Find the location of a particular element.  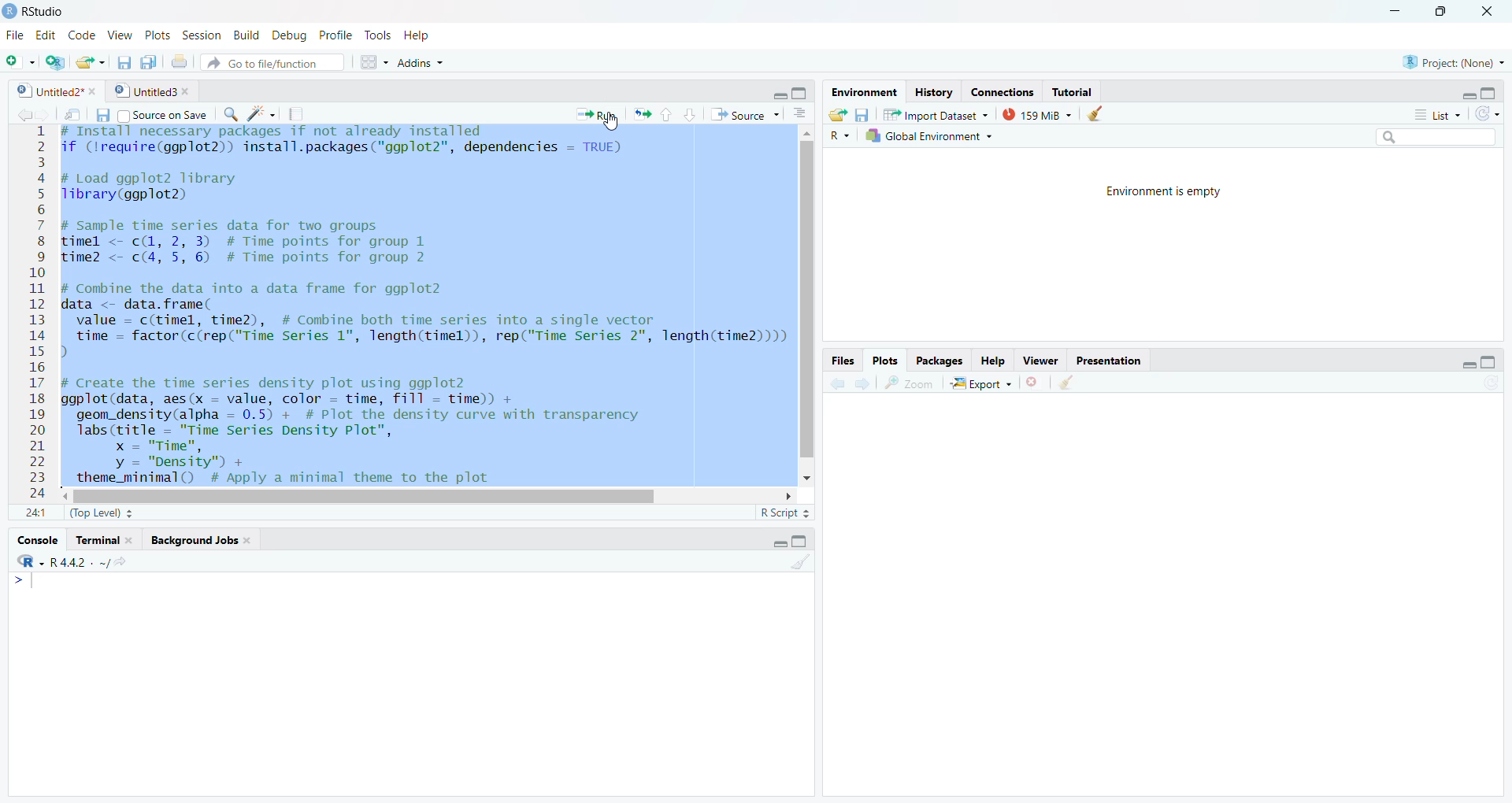

Tools is located at coordinates (376, 36).